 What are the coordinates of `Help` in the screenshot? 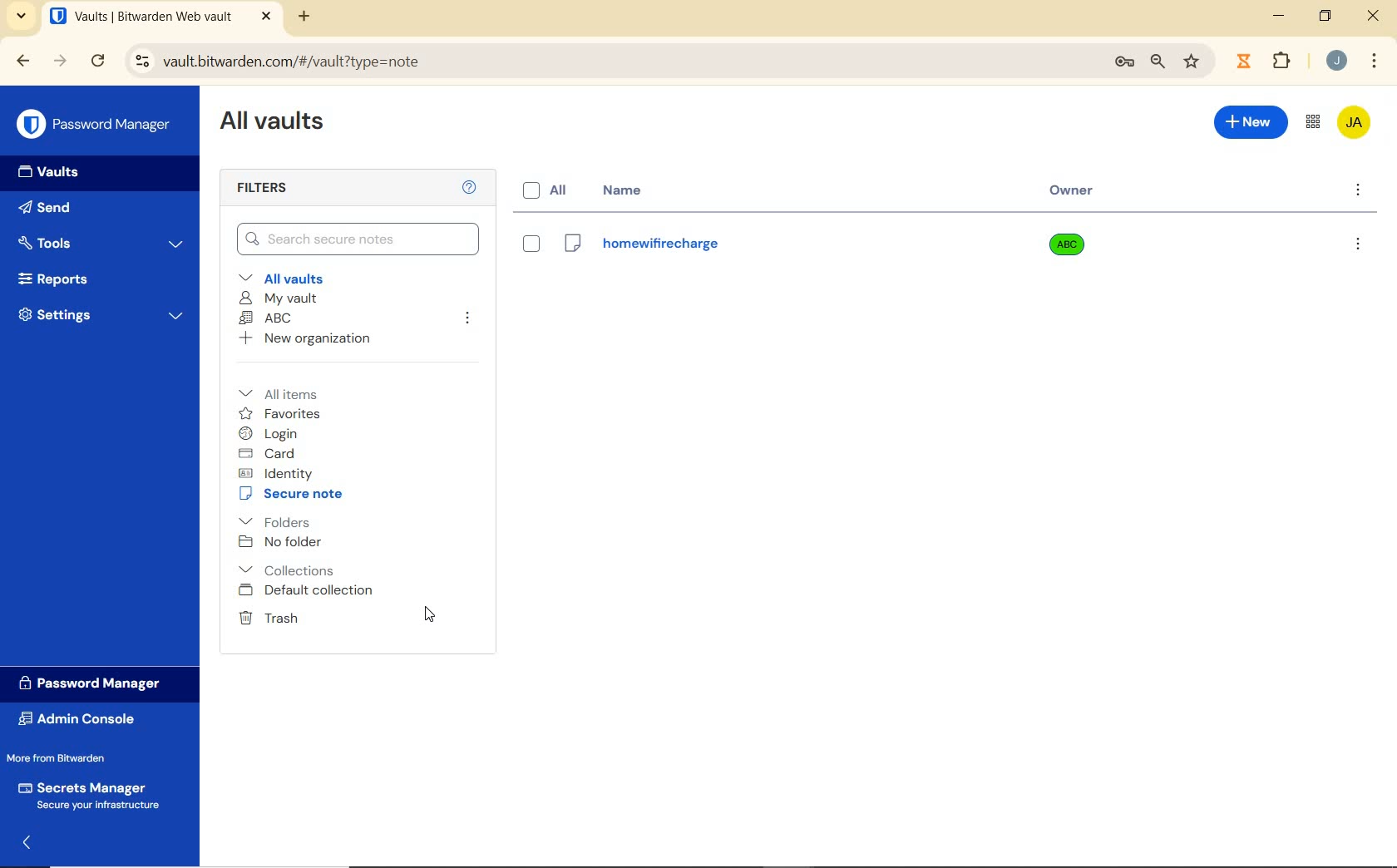 It's located at (471, 188).